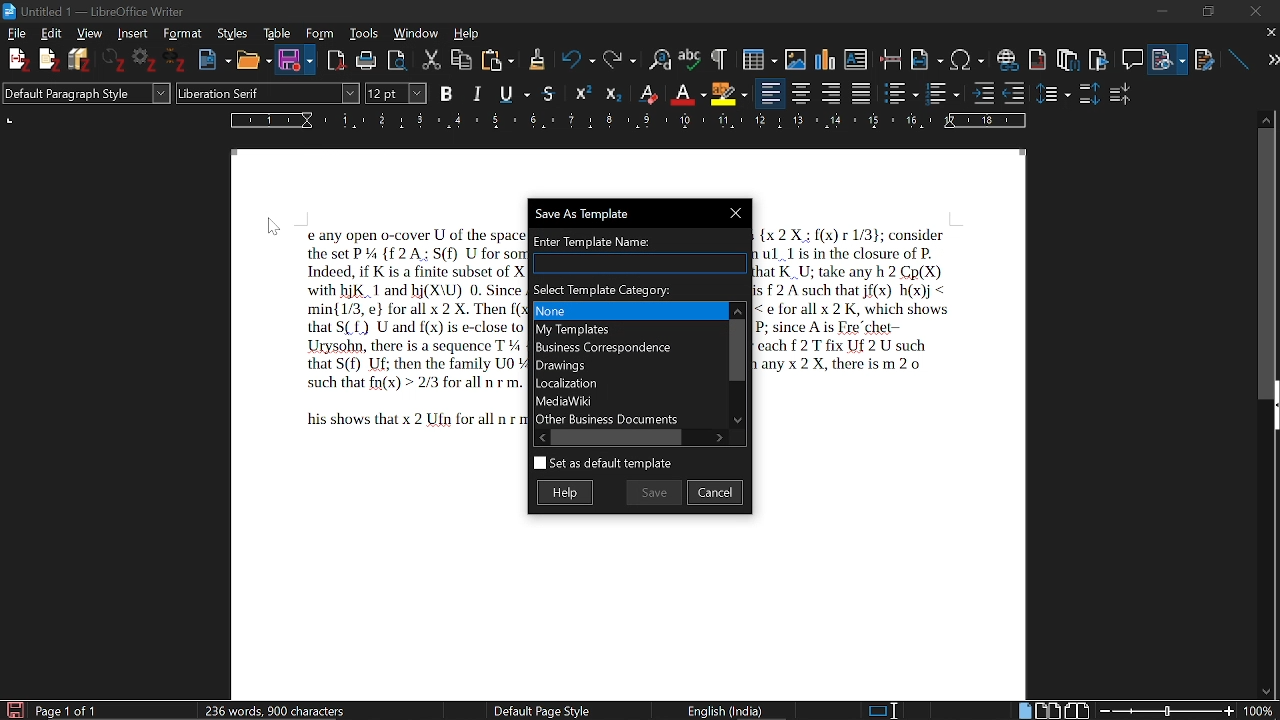  What do you see at coordinates (639, 289) in the screenshot?
I see `Select template category` at bounding box center [639, 289].